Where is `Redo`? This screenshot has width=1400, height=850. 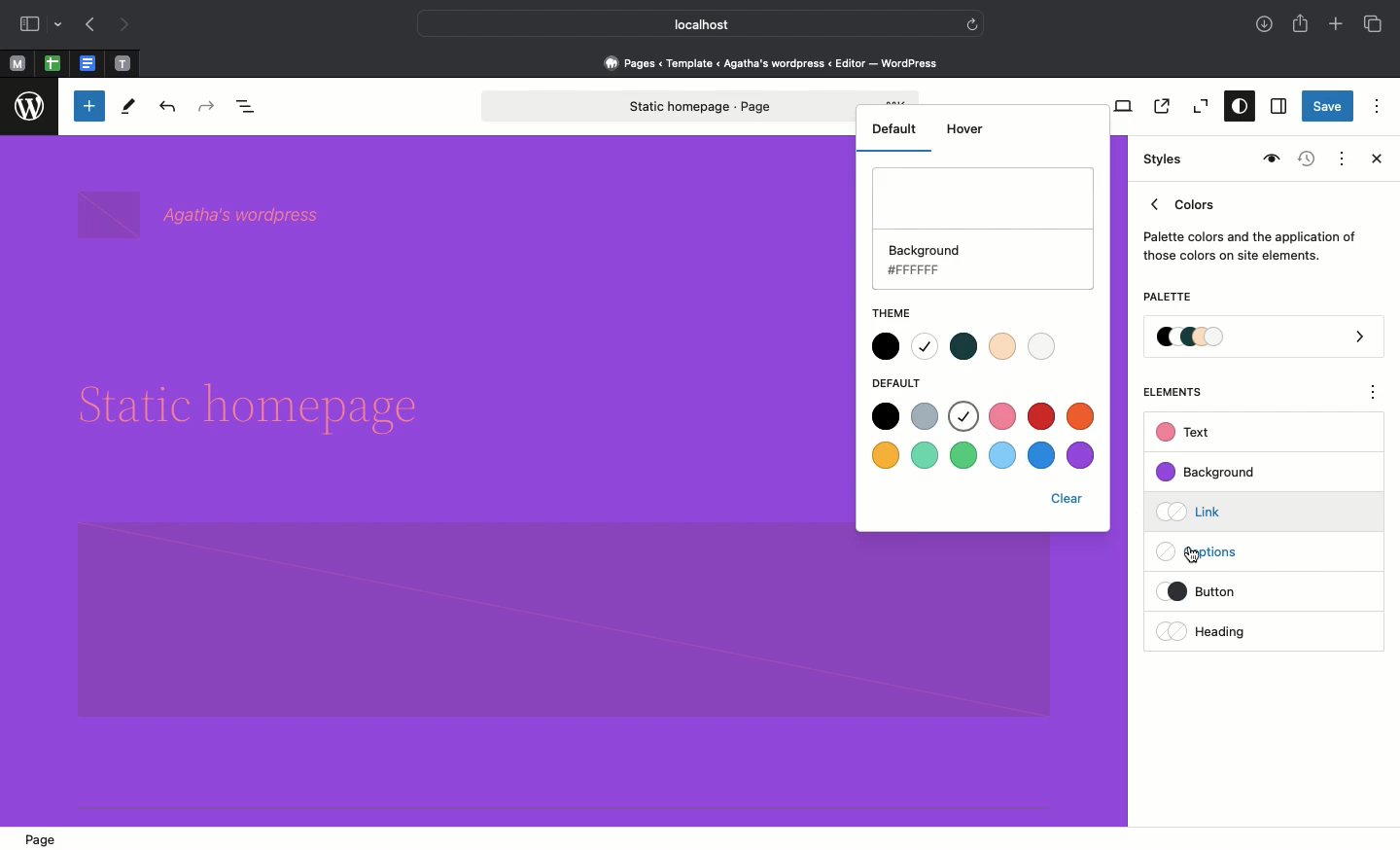
Redo is located at coordinates (209, 107).